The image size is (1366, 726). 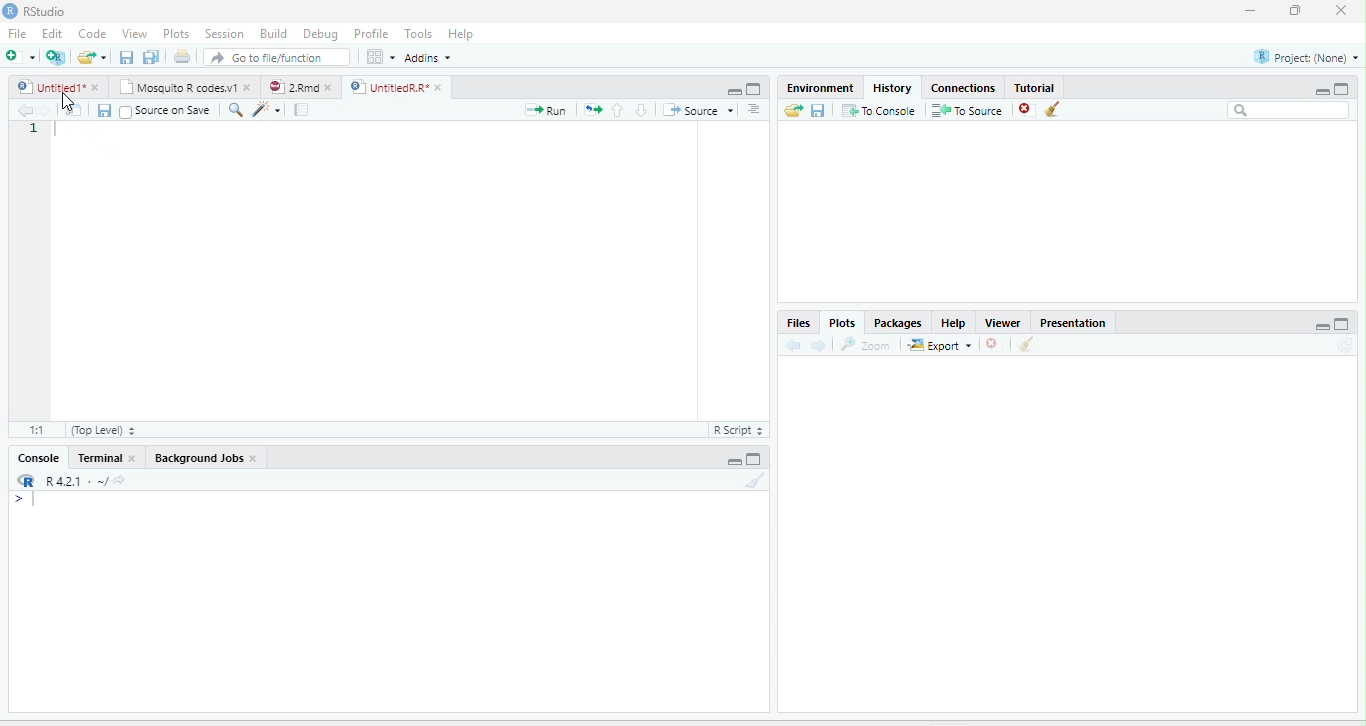 What do you see at coordinates (756, 480) in the screenshot?
I see `Clear console` at bounding box center [756, 480].